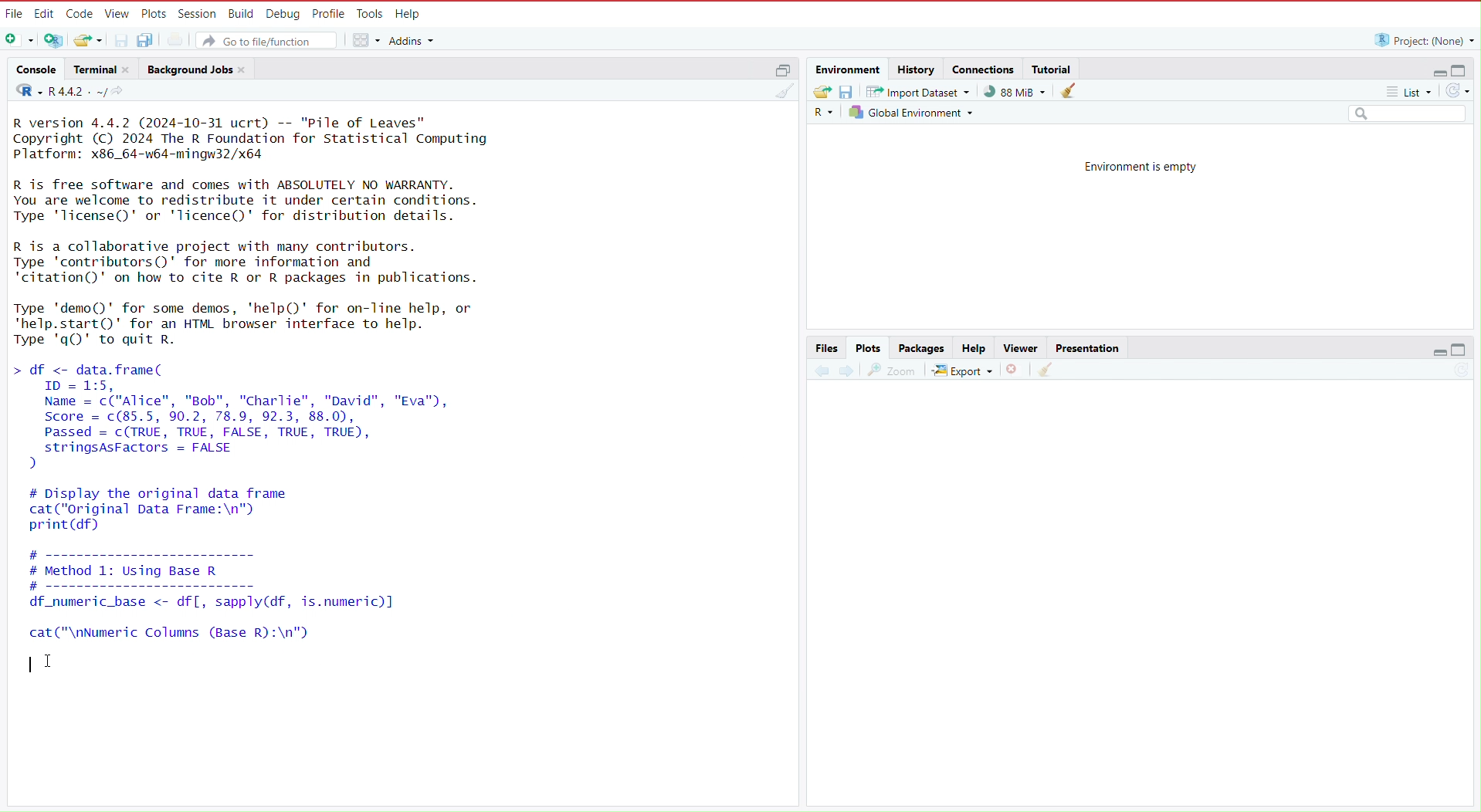  What do you see at coordinates (1415, 91) in the screenshot?
I see `list` at bounding box center [1415, 91].